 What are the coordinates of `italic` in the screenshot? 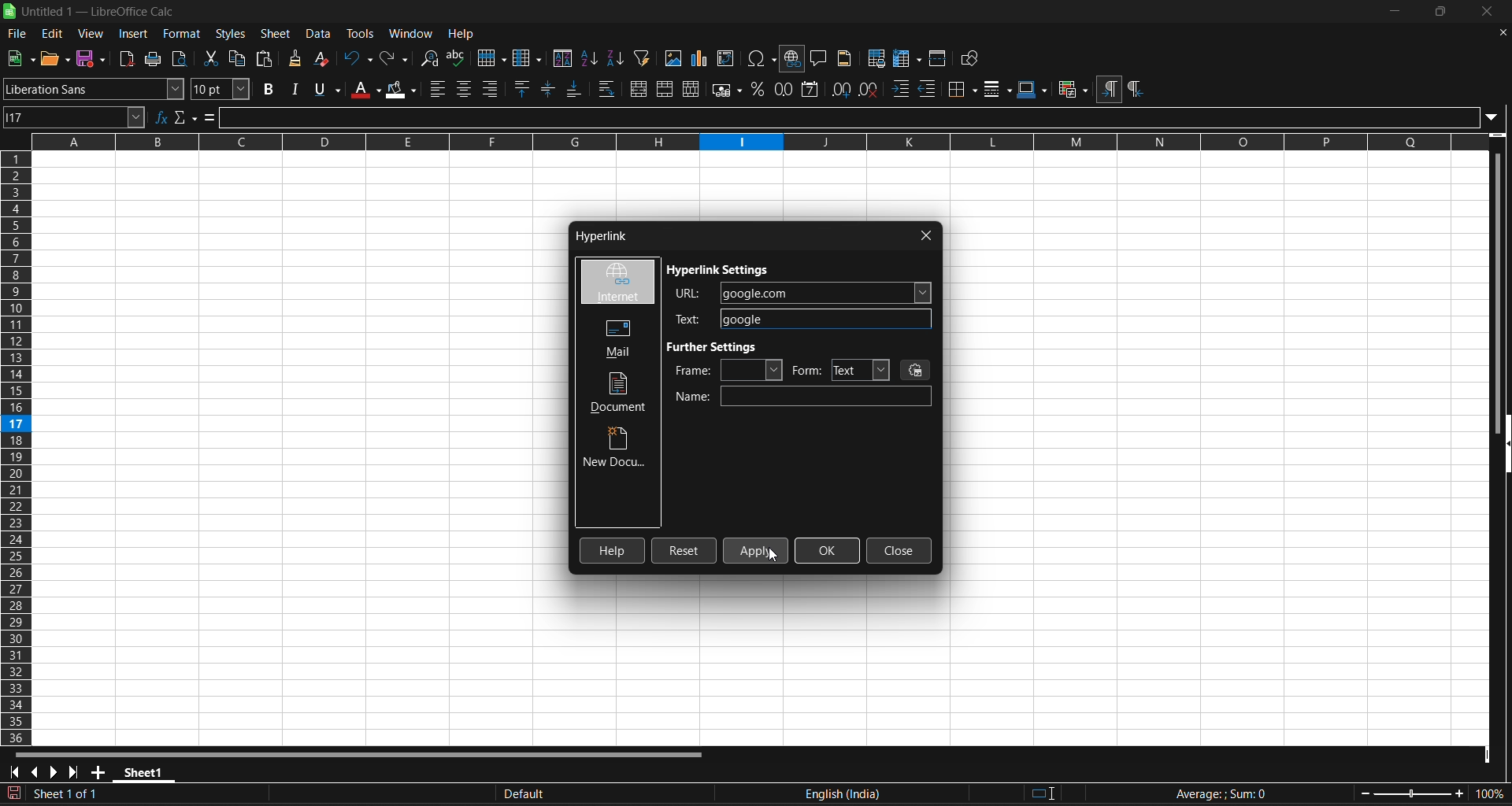 It's located at (295, 88).